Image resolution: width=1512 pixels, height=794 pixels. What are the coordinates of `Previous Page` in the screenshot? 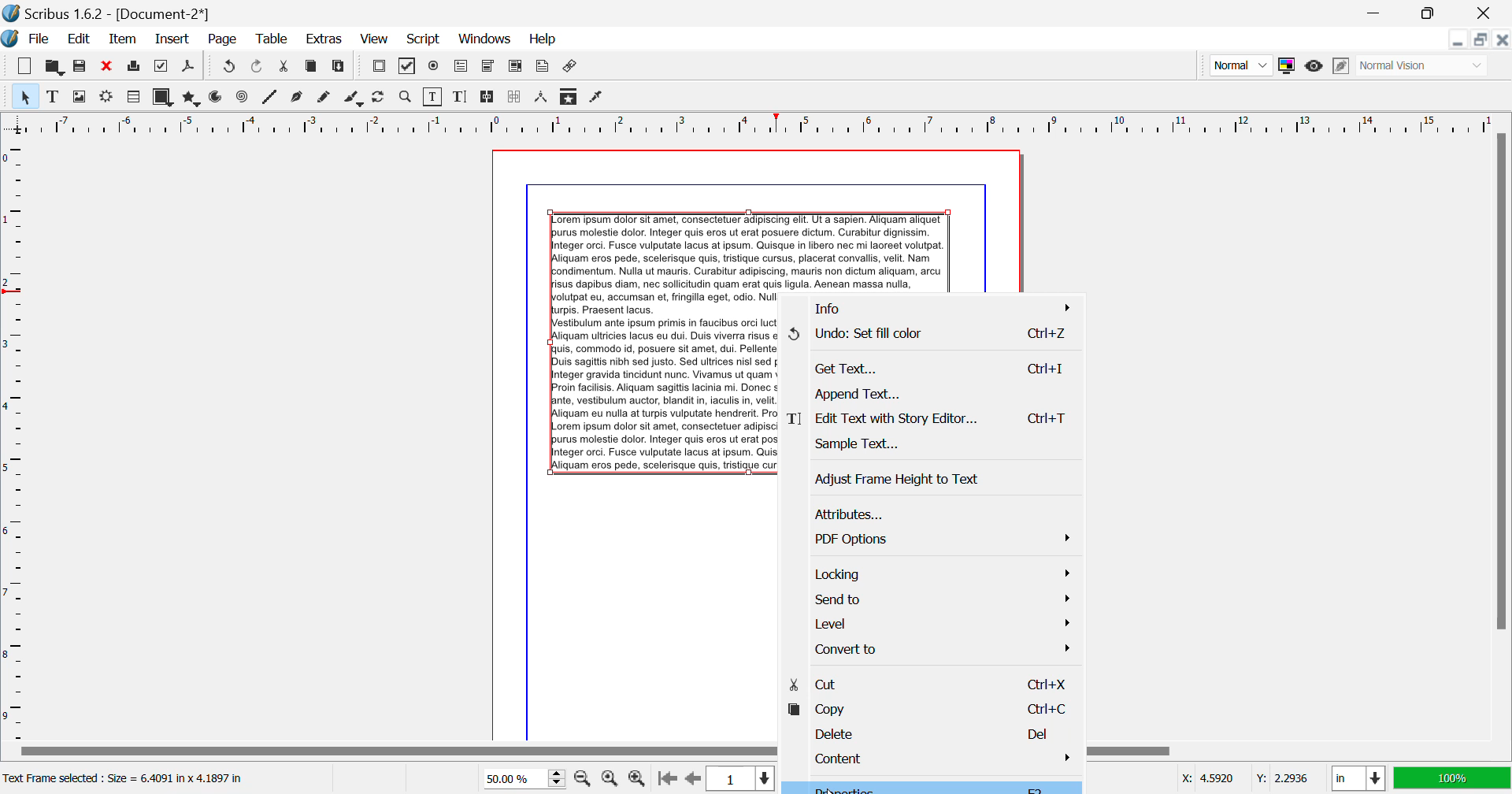 It's located at (691, 779).